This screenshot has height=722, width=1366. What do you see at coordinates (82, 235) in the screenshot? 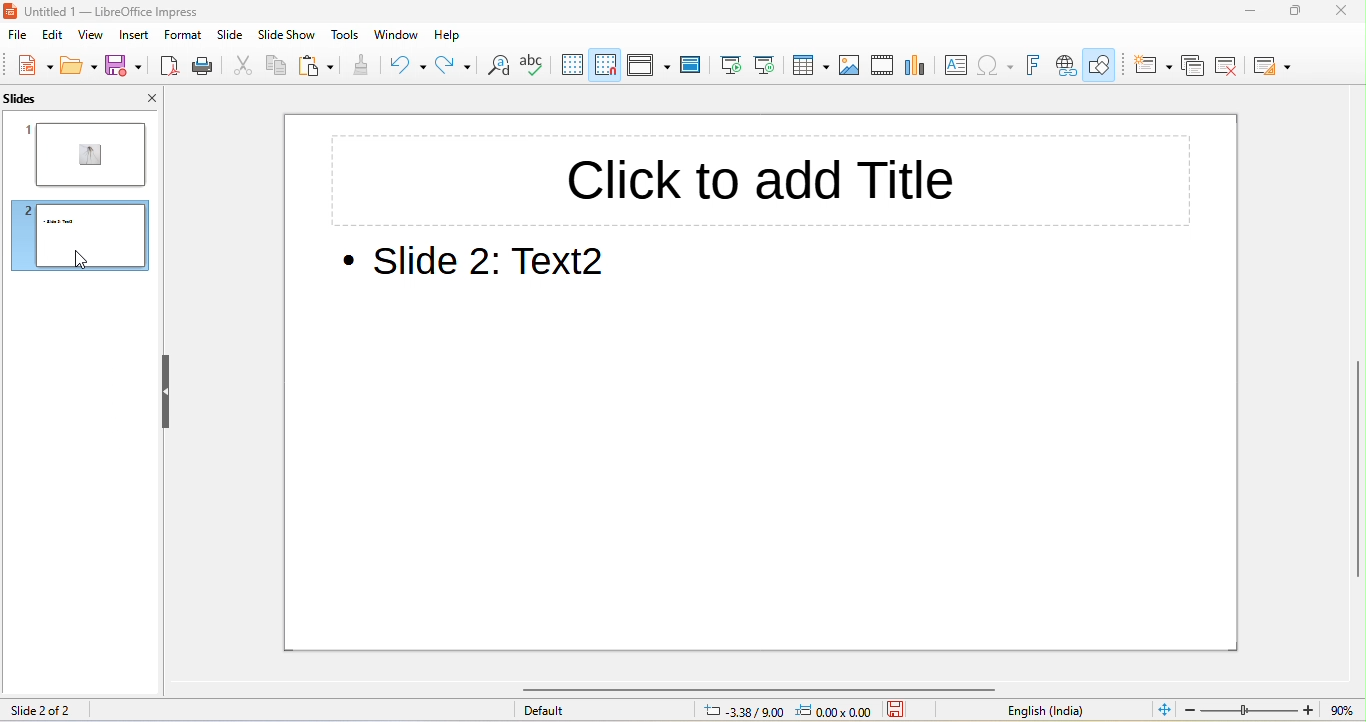
I see `slide 2` at bounding box center [82, 235].